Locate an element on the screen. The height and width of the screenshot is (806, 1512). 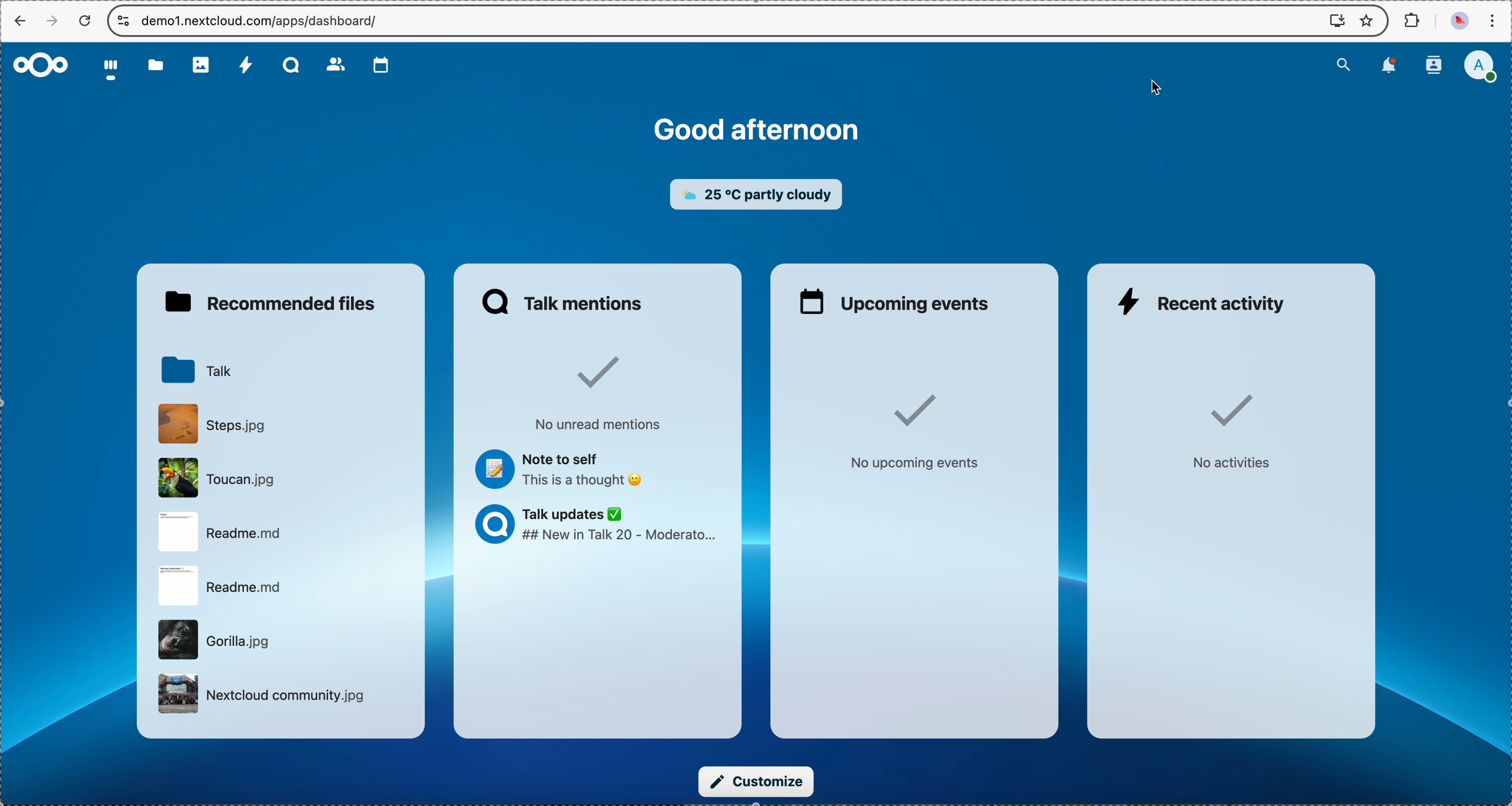
file is located at coordinates (220, 585).